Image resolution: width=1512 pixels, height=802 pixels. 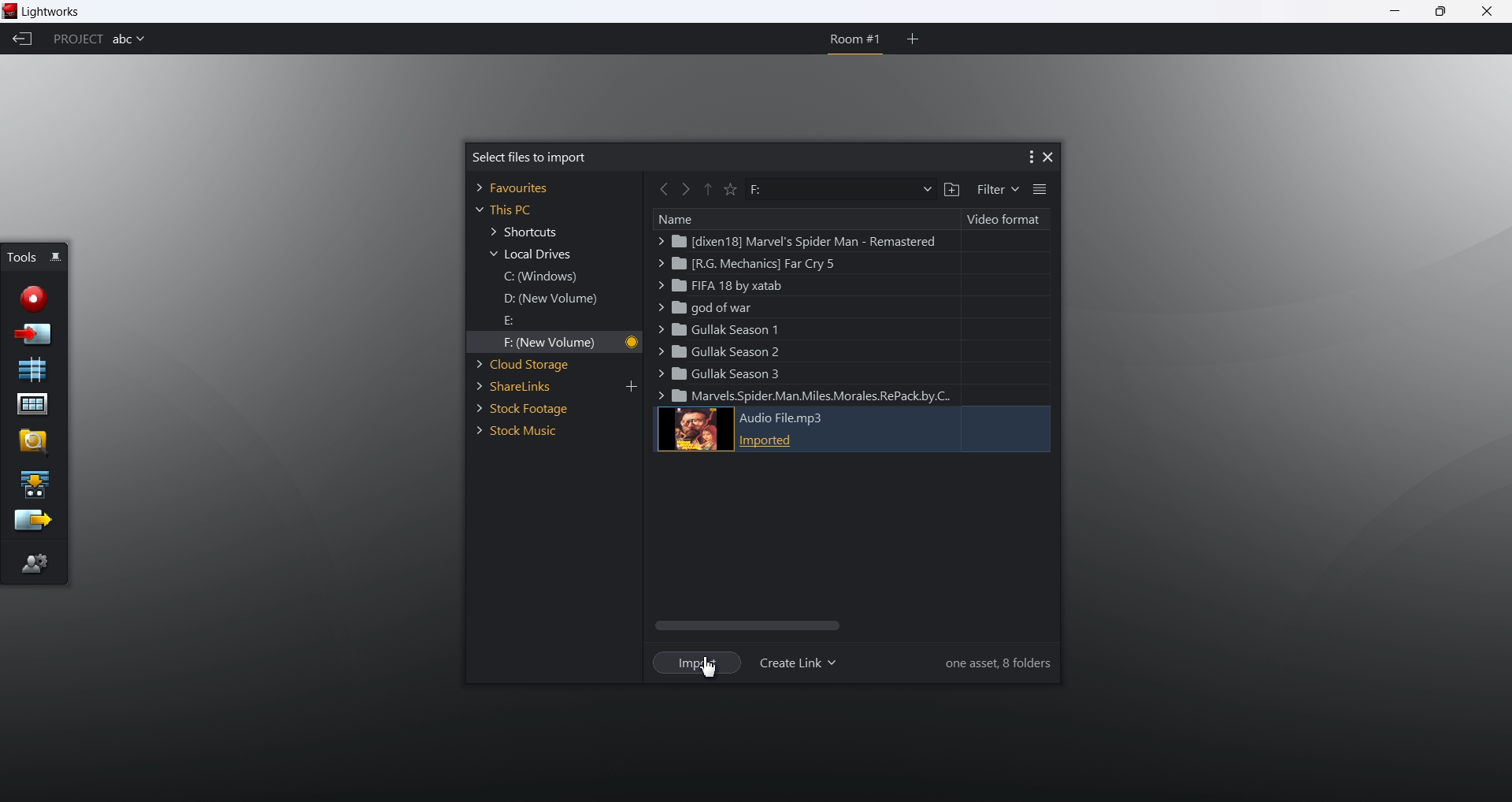 I want to click on E, so click(x=516, y=322).